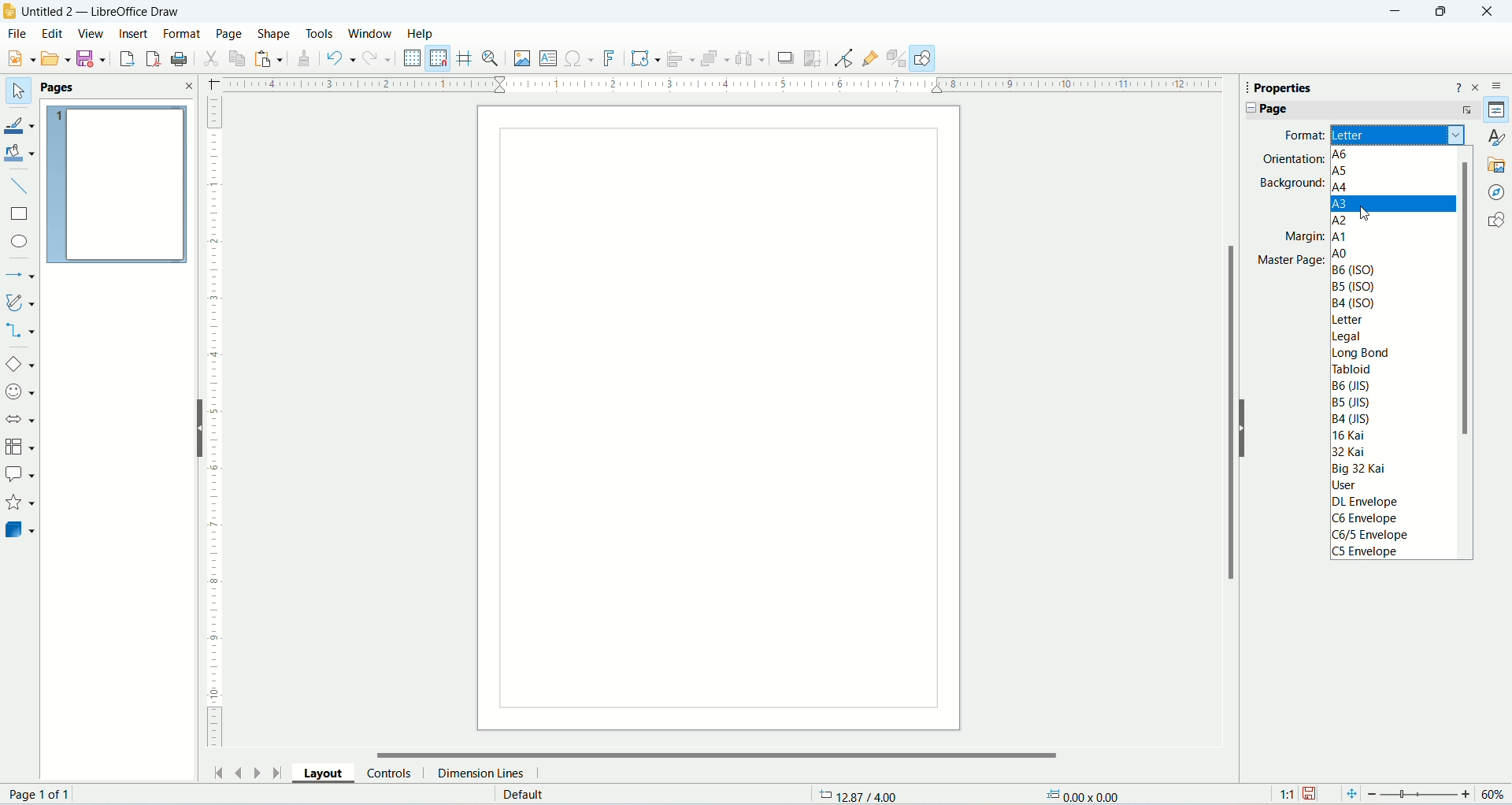 Image resolution: width=1512 pixels, height=805 pixels. I want to click on previous page, so click(237, 770).